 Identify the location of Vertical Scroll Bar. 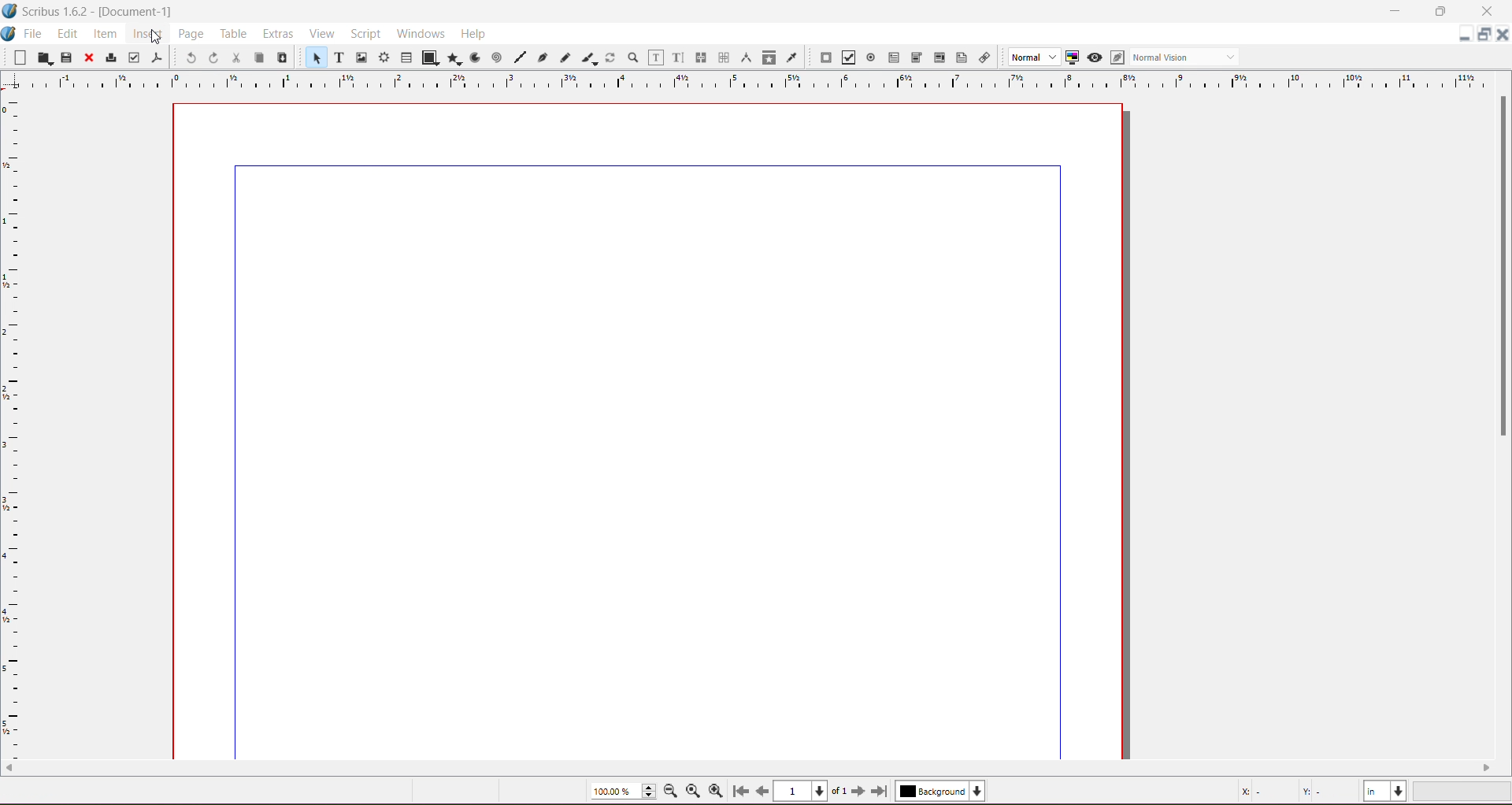
(1499, 265).